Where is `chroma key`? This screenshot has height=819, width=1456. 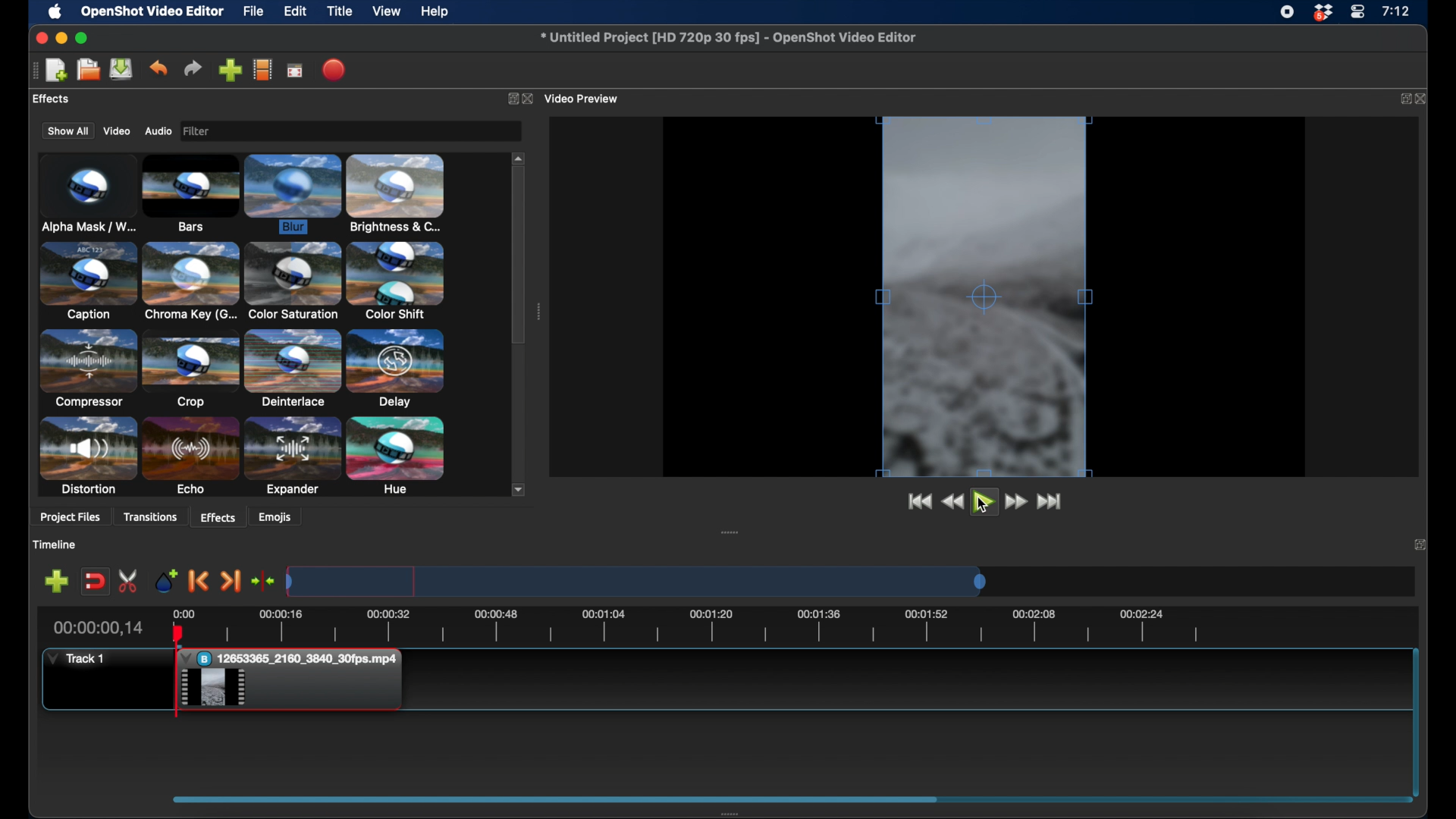 chroma key is located at coordinates (191, 281).